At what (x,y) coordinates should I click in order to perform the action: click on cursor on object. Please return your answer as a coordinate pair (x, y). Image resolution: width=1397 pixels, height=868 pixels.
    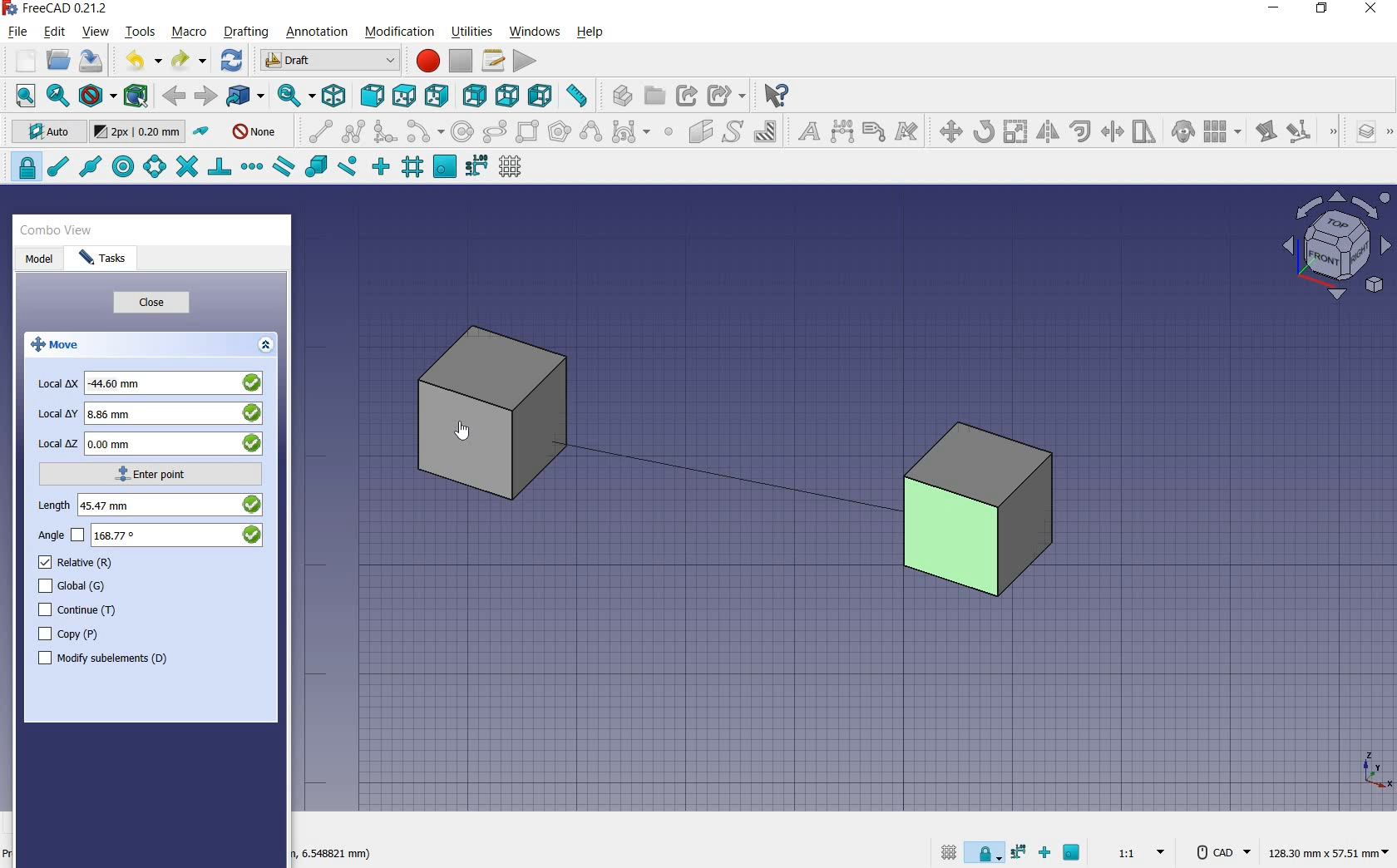
    Looking at the image, I should click on (464, 432).